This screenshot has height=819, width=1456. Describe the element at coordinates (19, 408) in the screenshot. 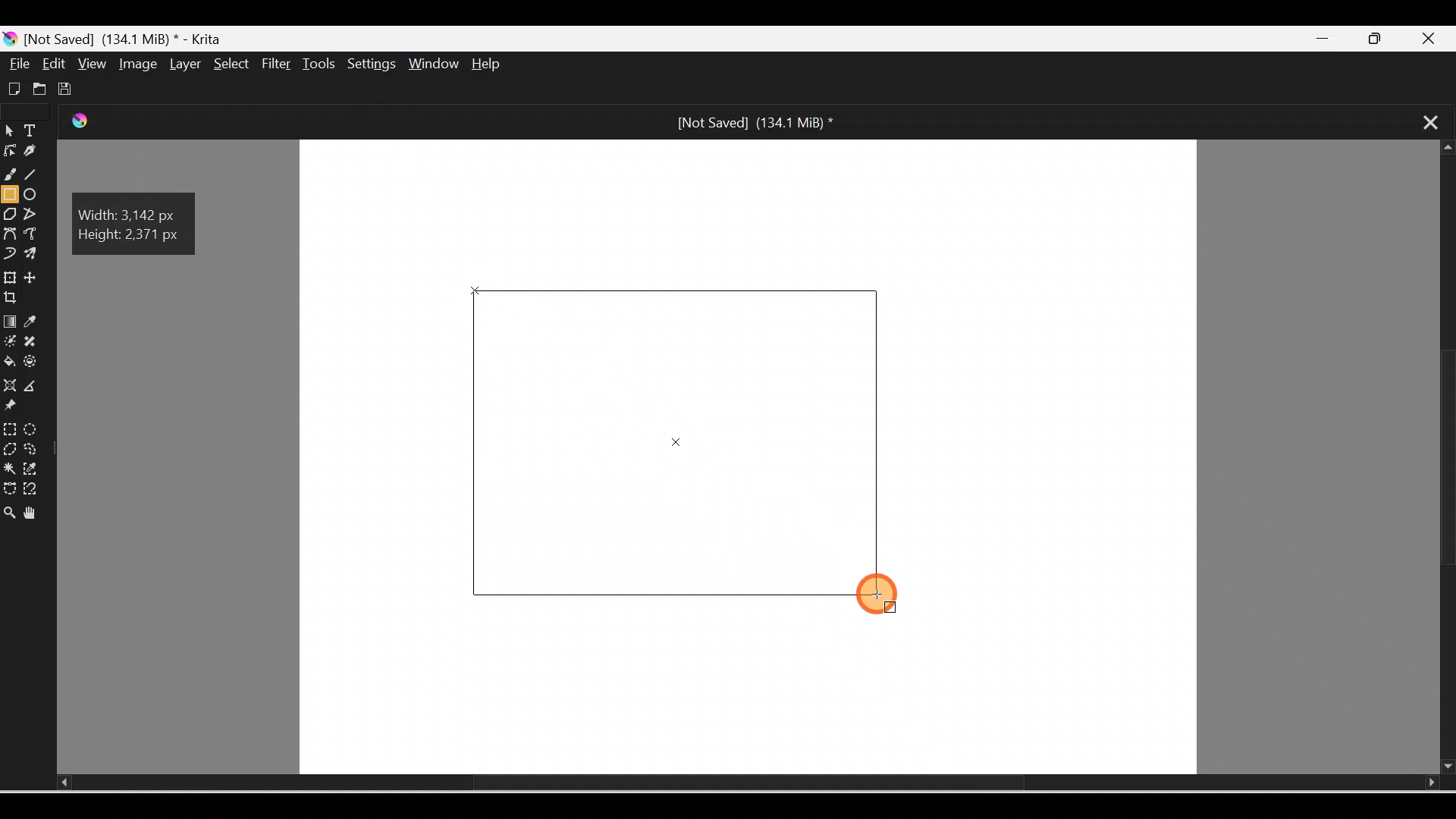

I see `Reference images tool` at that location.